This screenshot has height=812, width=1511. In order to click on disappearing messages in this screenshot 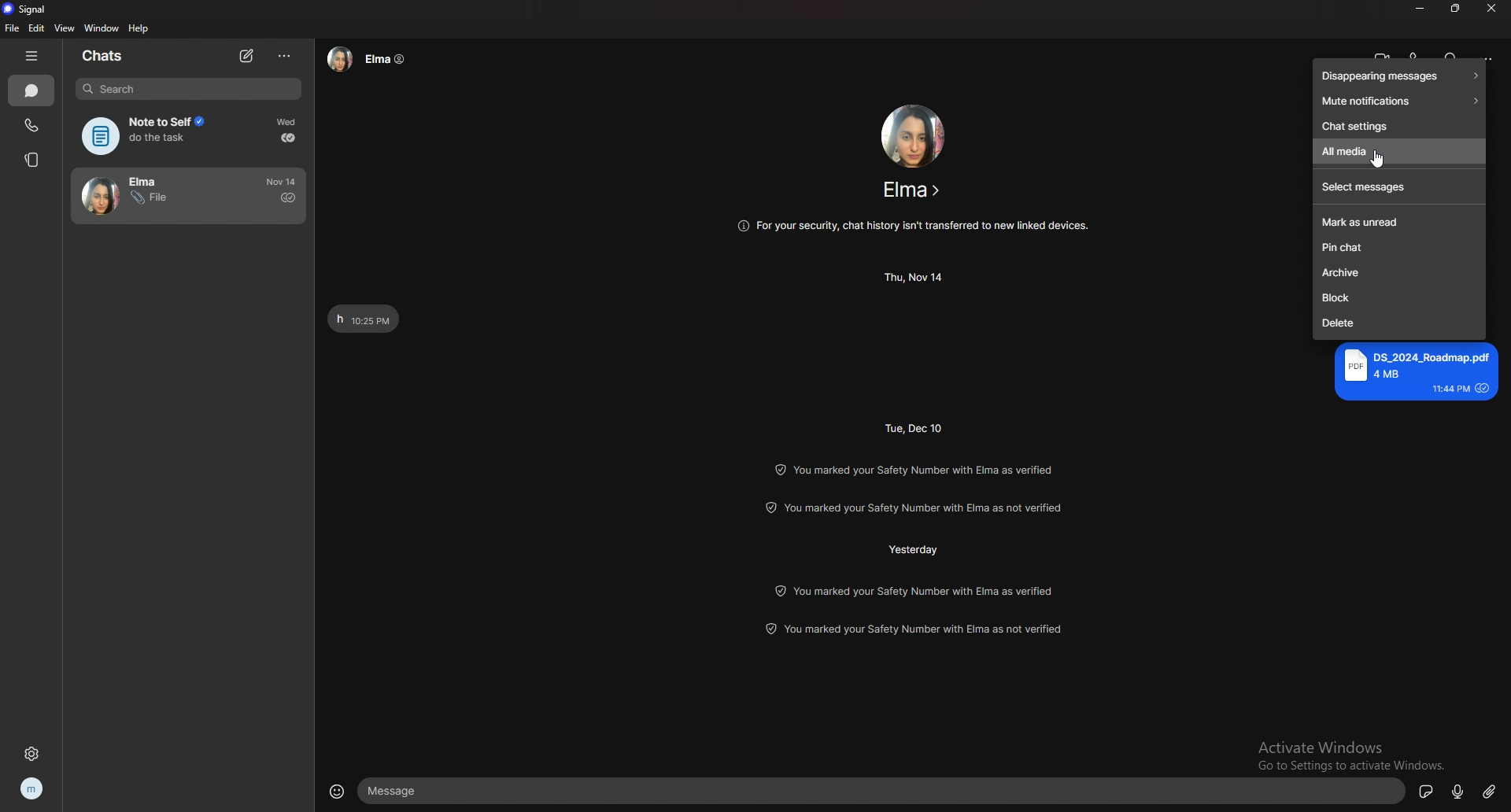, I will do `click(1398, 76)`.